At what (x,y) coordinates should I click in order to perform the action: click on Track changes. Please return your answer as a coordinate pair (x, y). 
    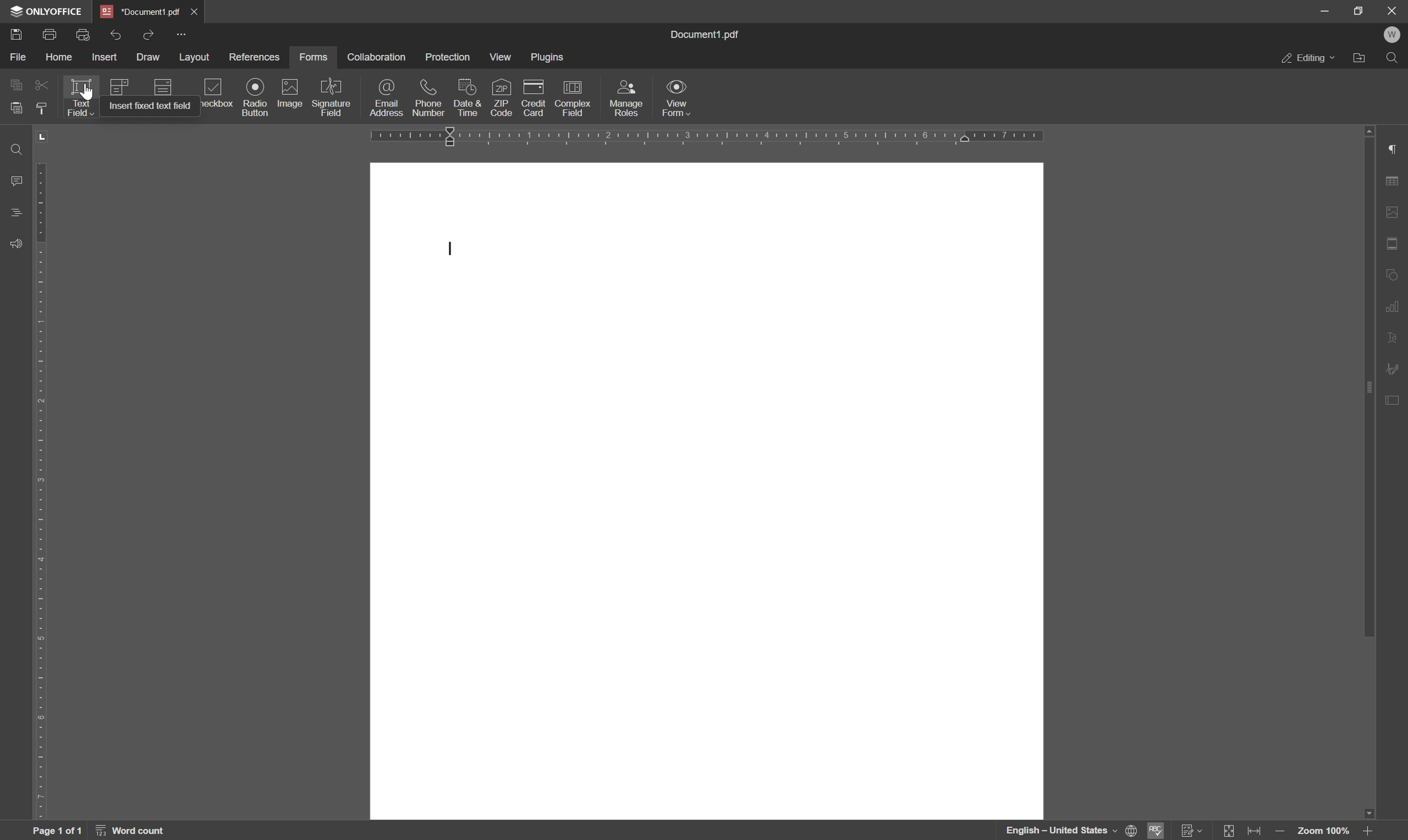
    Looking at the image, I should click on (1193, 832).